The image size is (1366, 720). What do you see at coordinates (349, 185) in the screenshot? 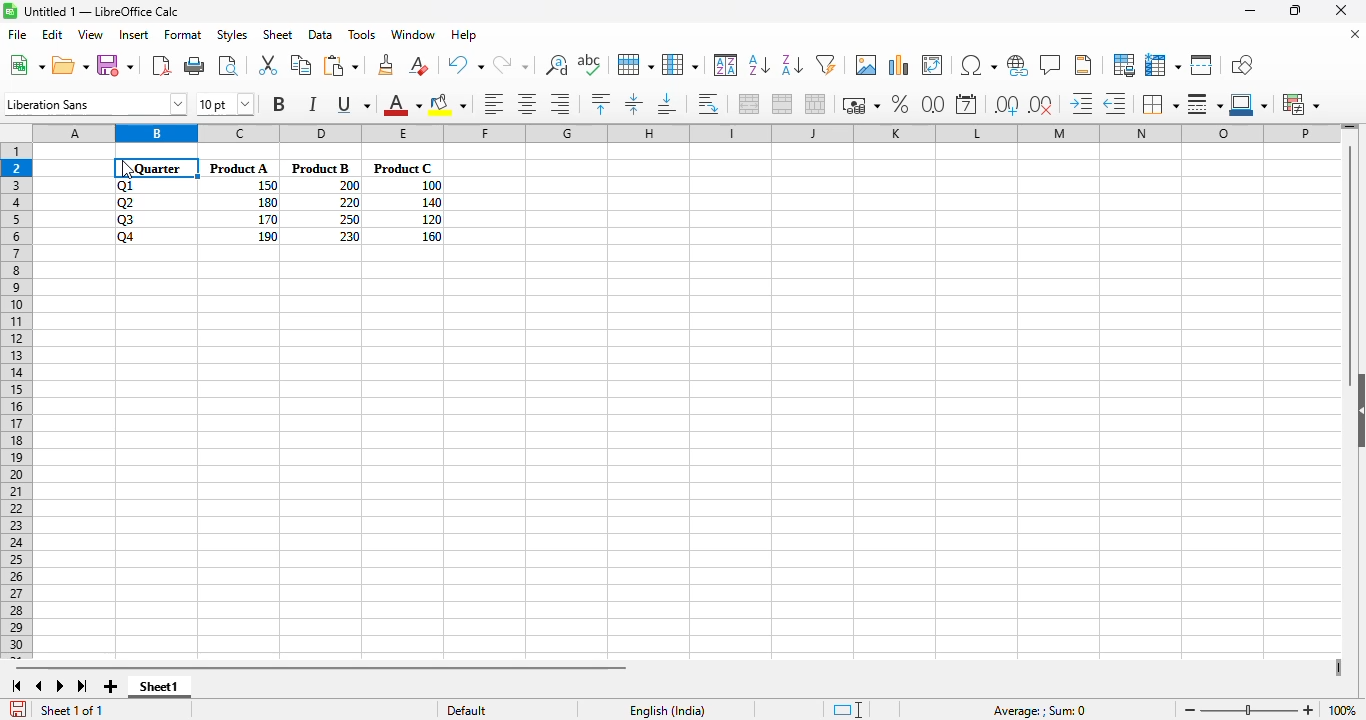
I see `200` at bounding box center [349, 185].